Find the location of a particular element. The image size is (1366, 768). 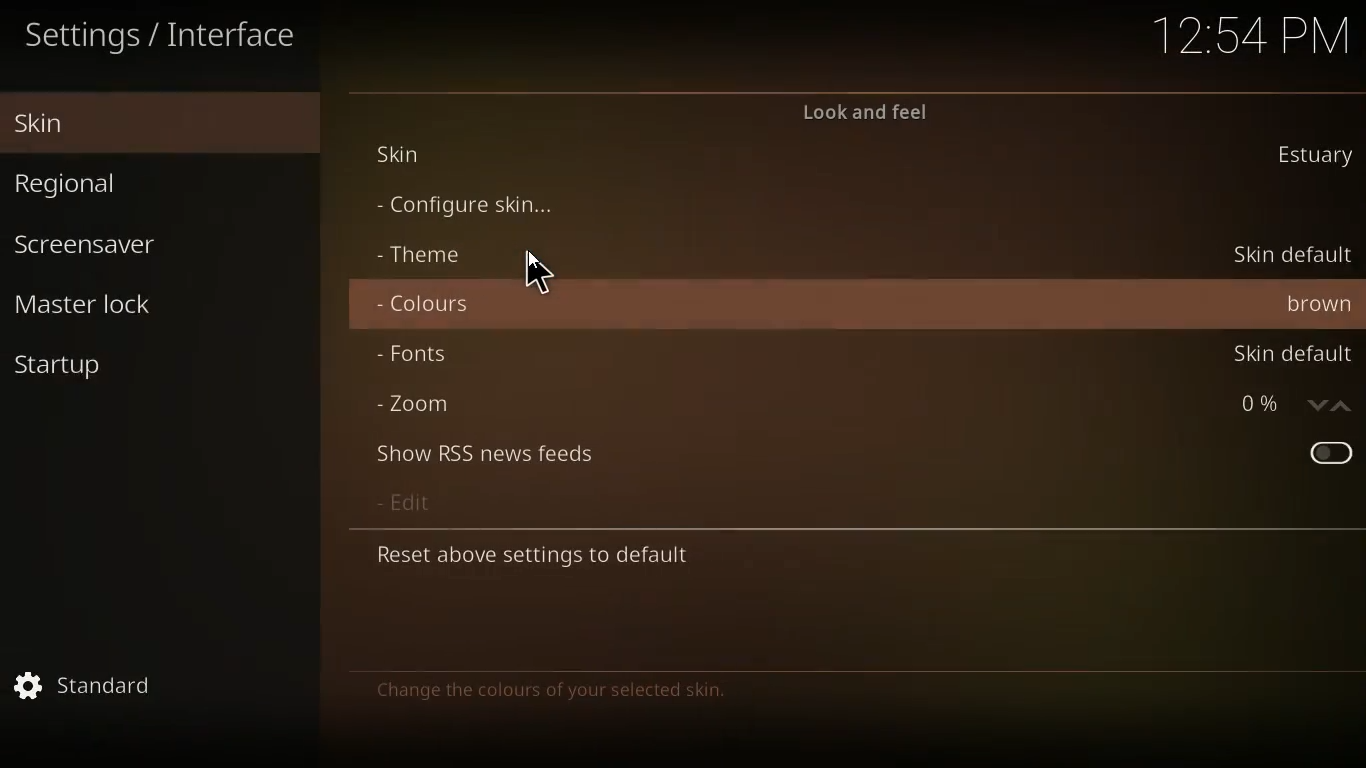

- Edit is located at coordinates (403, 504).